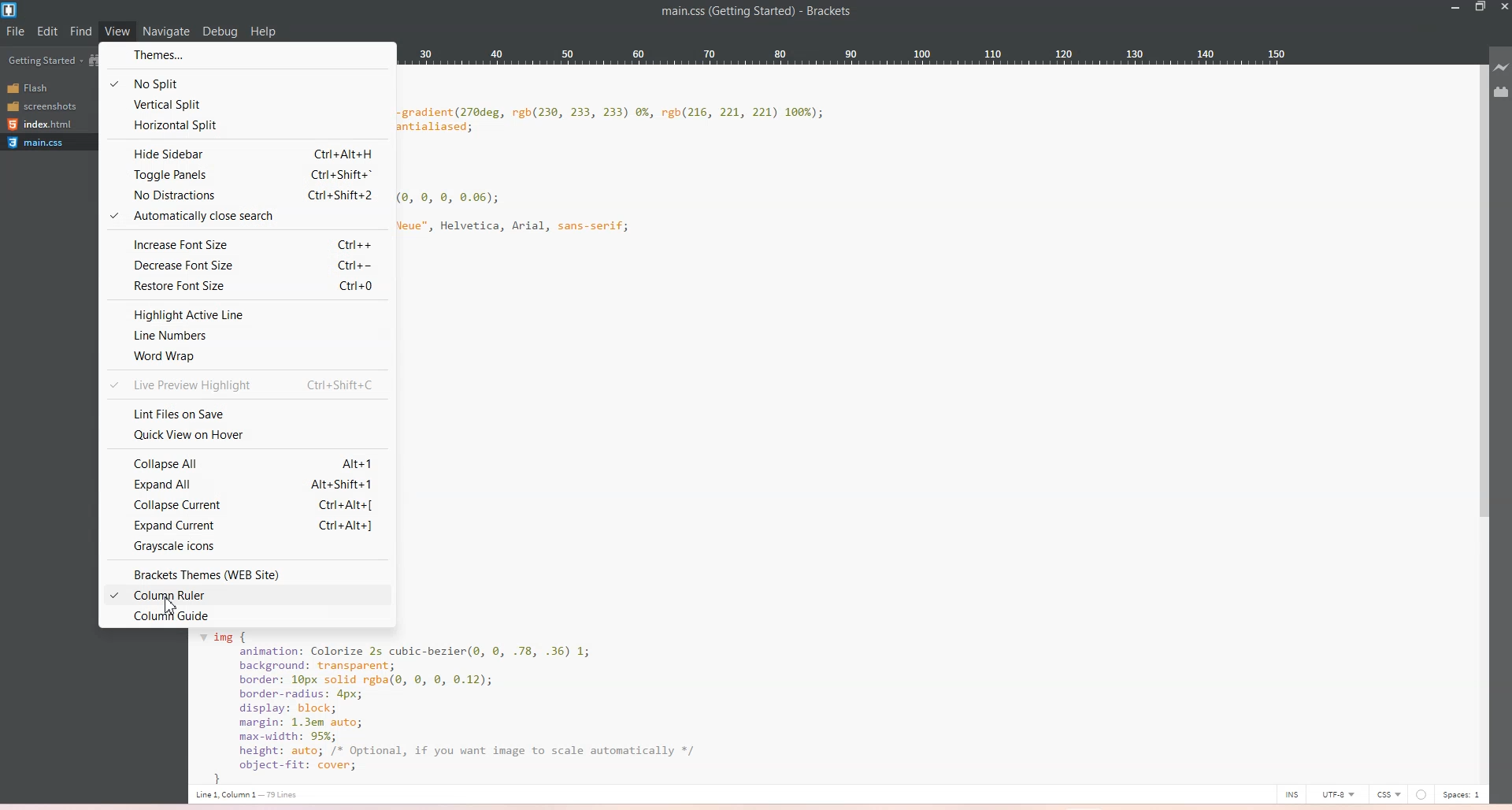 The image size is (1512, 810). I want to click on Lint files on save, so click(247, 412).